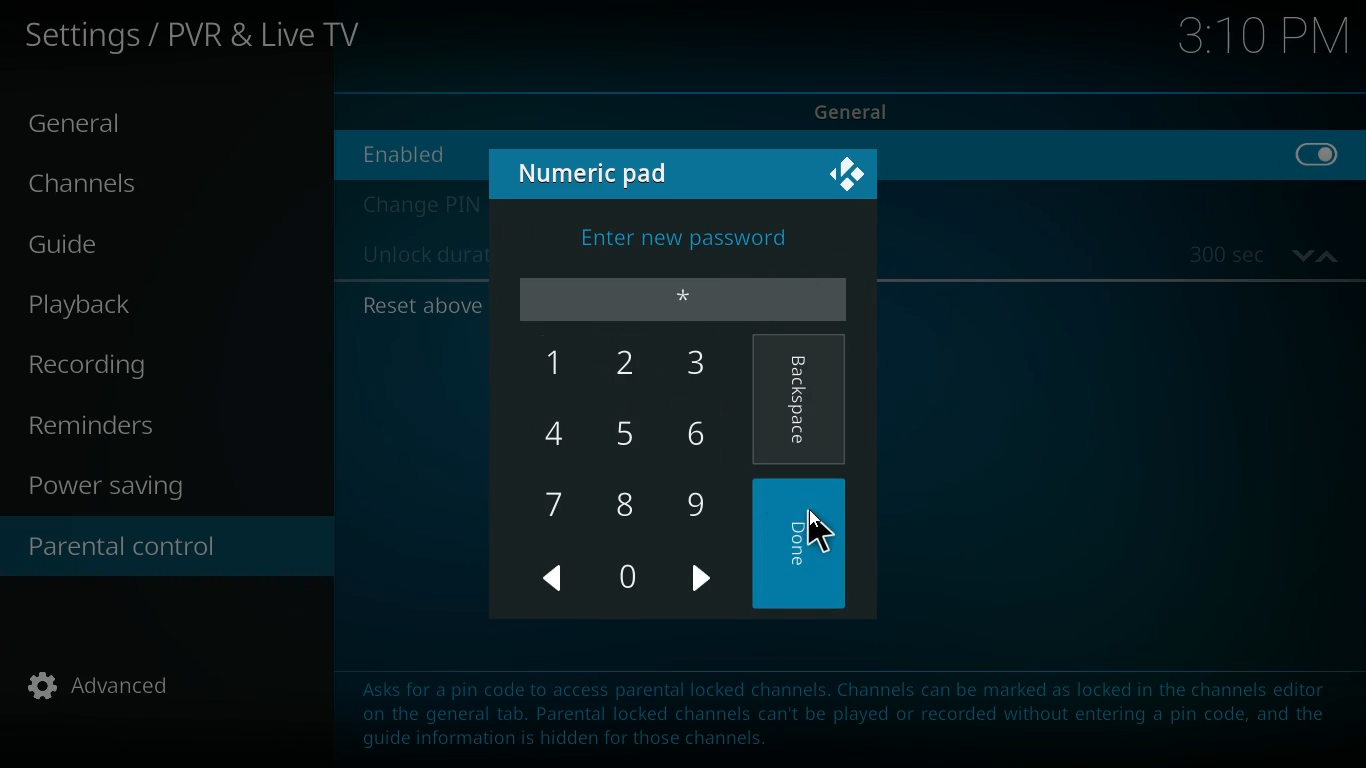 Image resolution: width=1366 pixels, height=768 pixels. I want to click on power saving, so click(119, 489).